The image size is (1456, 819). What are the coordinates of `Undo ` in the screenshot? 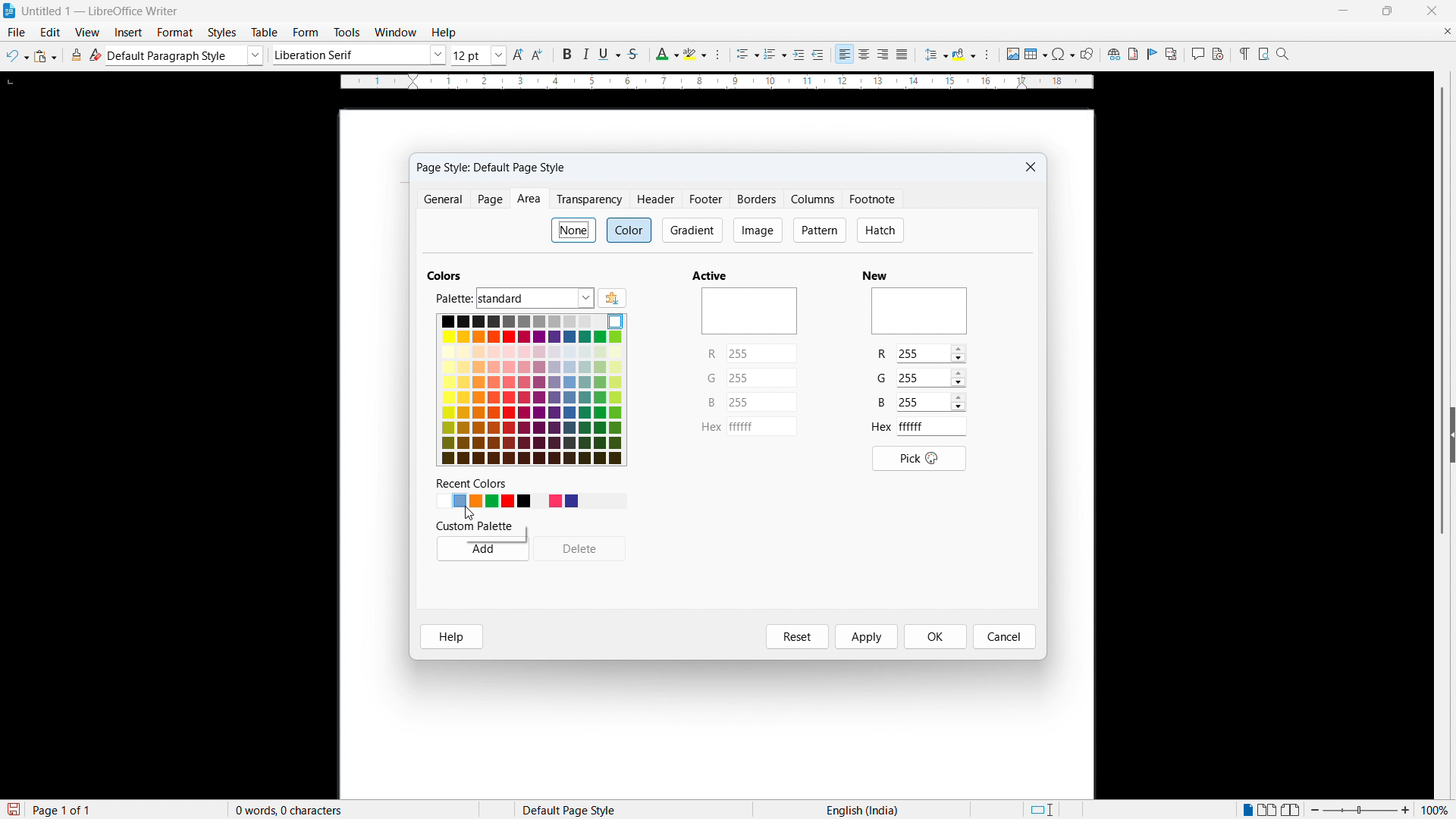 It's located at (17, 56).